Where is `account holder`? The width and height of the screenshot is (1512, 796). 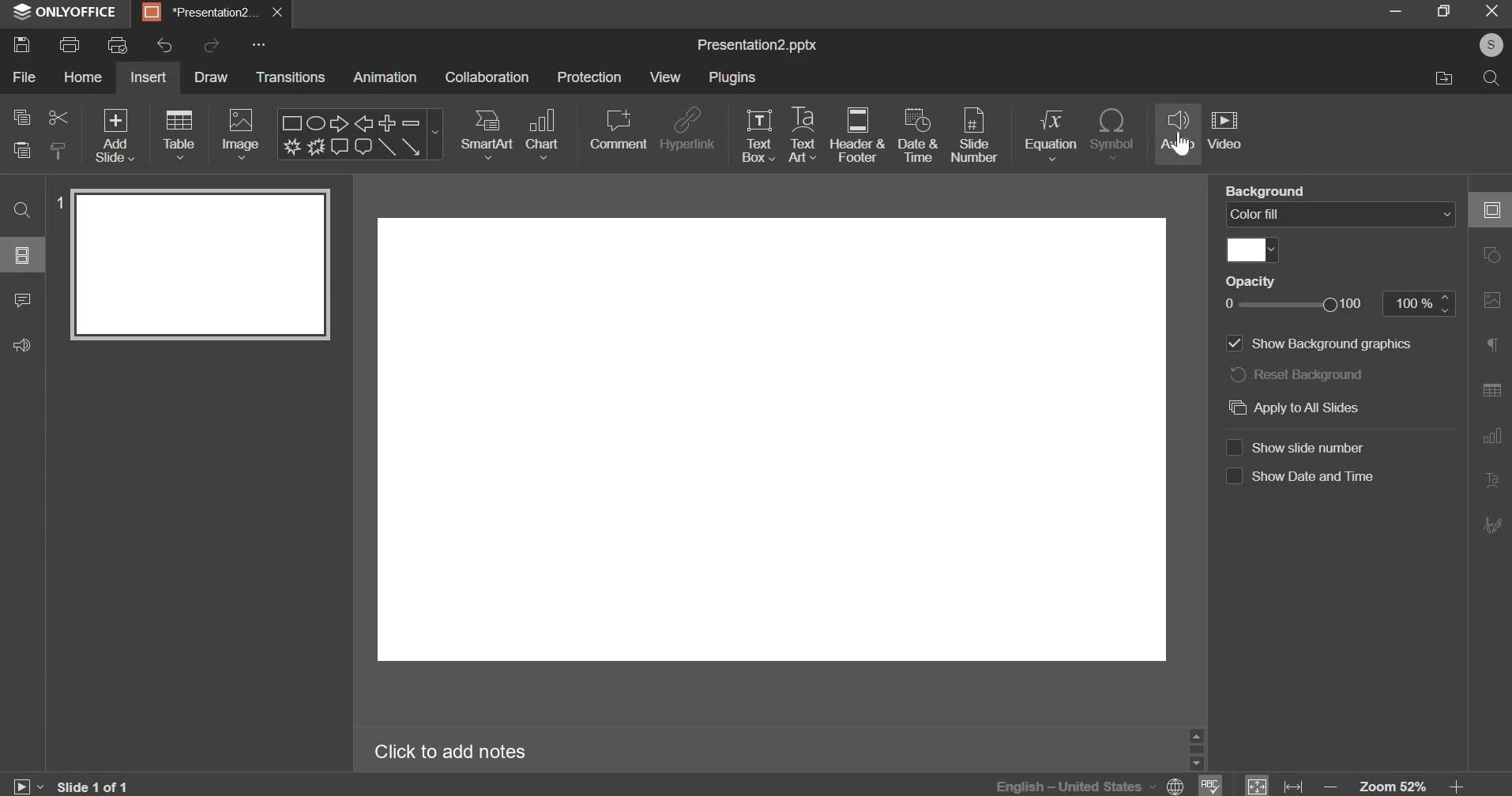 account holder is located at coordinates (1491, 45).